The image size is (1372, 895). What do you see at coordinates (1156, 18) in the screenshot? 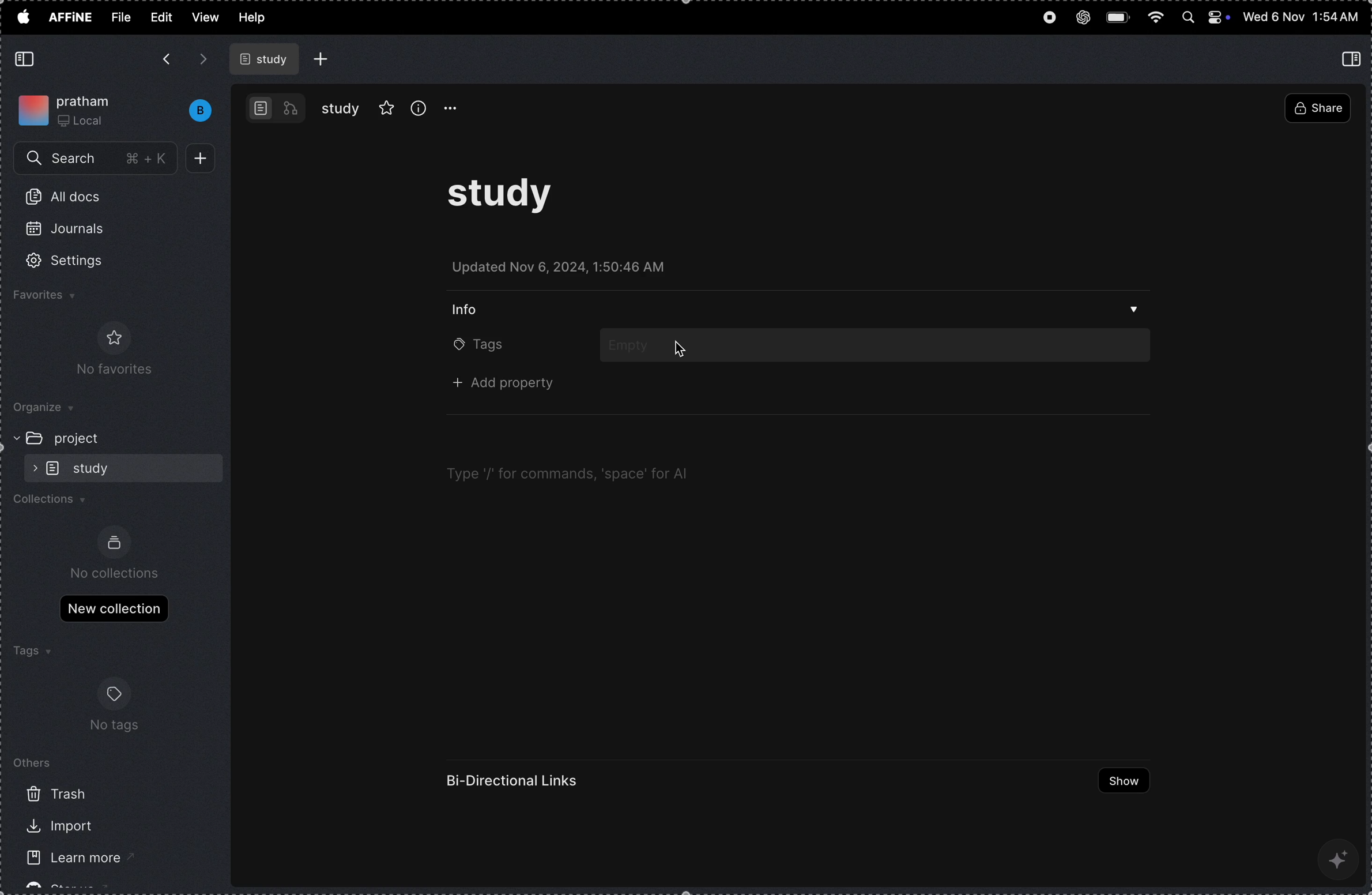
I see `wifi` at bounding box center [1156, 18].